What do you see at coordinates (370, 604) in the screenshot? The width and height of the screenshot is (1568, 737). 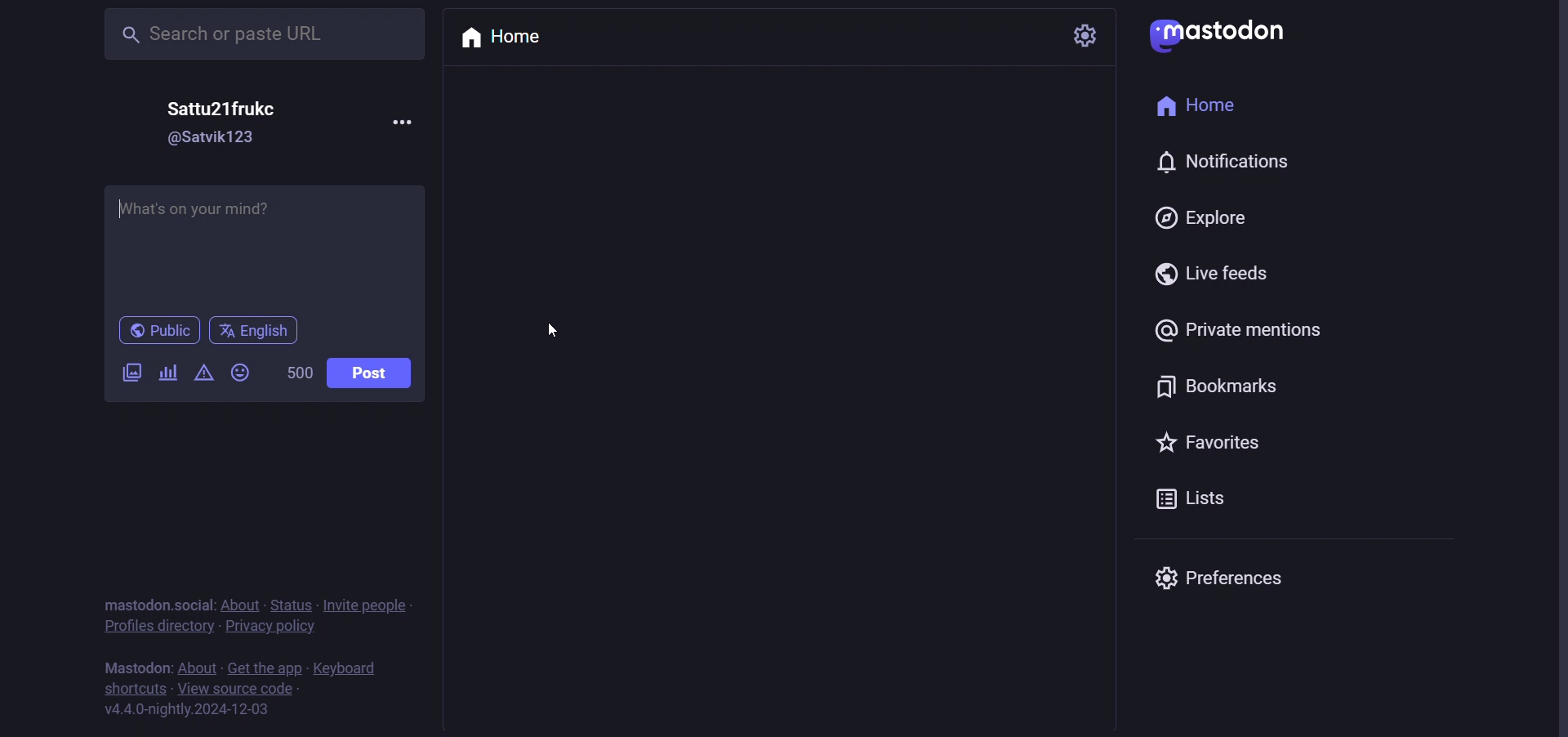 I see `invite people` at bounding box center [370, 604].